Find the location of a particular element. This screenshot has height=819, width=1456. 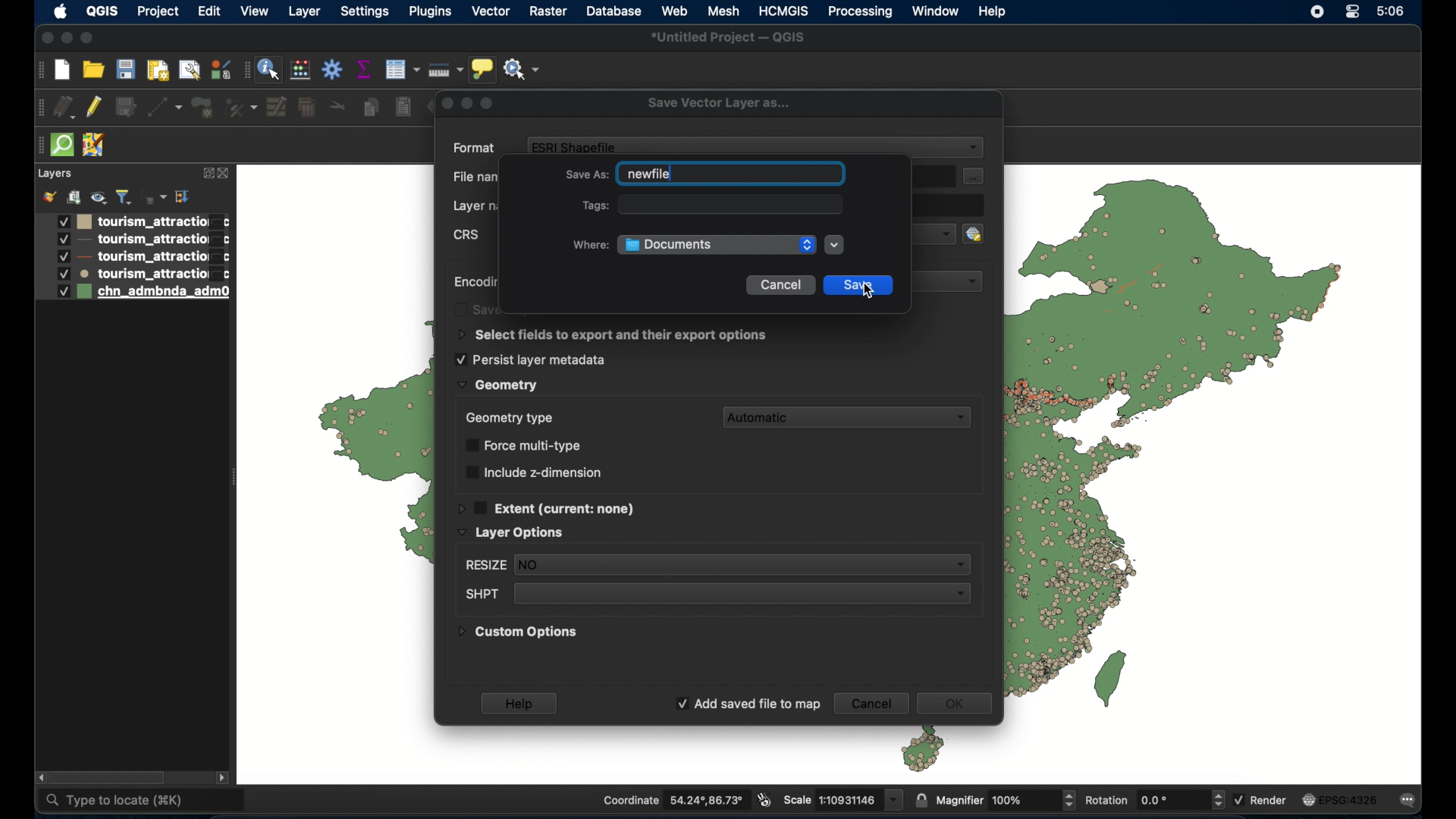

dropdown is located at coordinates (836, 246).